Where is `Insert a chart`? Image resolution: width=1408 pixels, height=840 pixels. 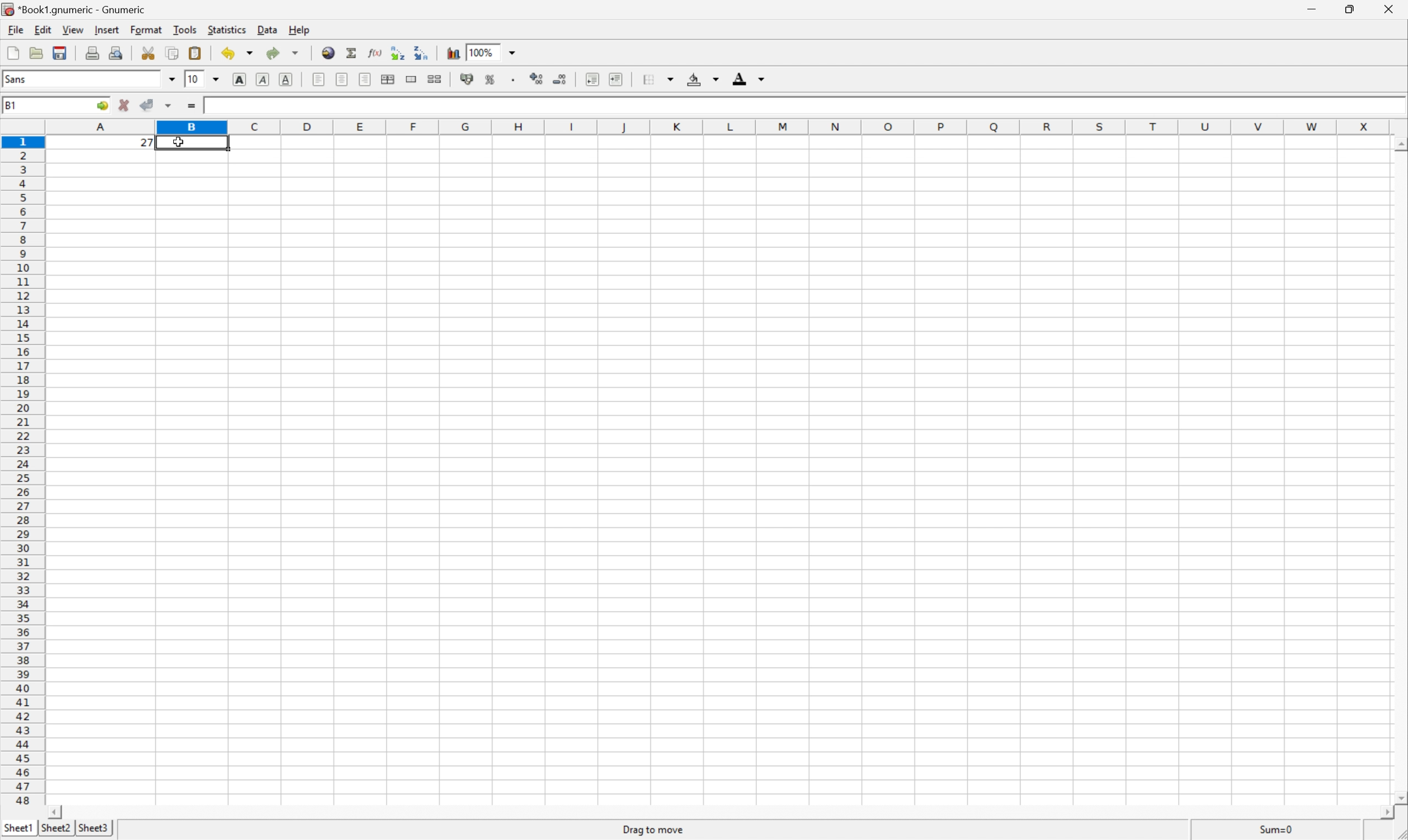 Insert a chart is located at coordinates (452, 52).